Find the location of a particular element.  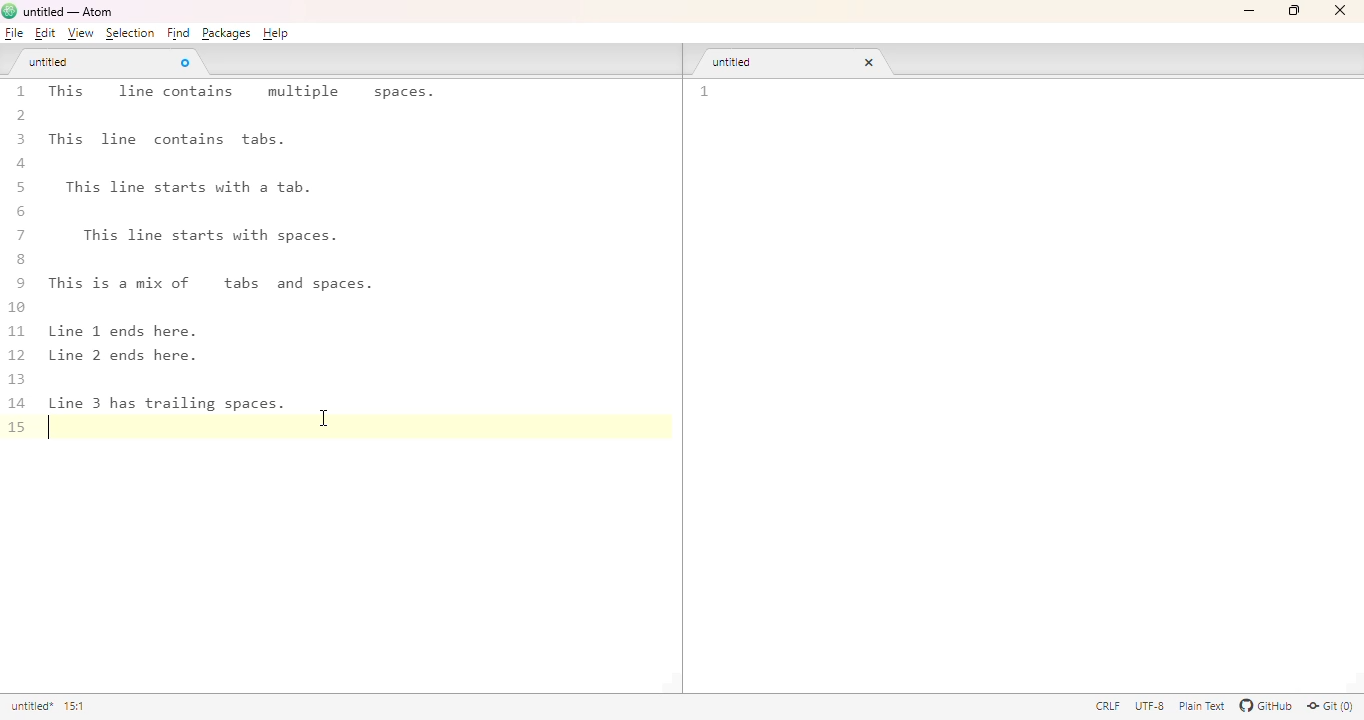

find is located at coordinates (178, 33).